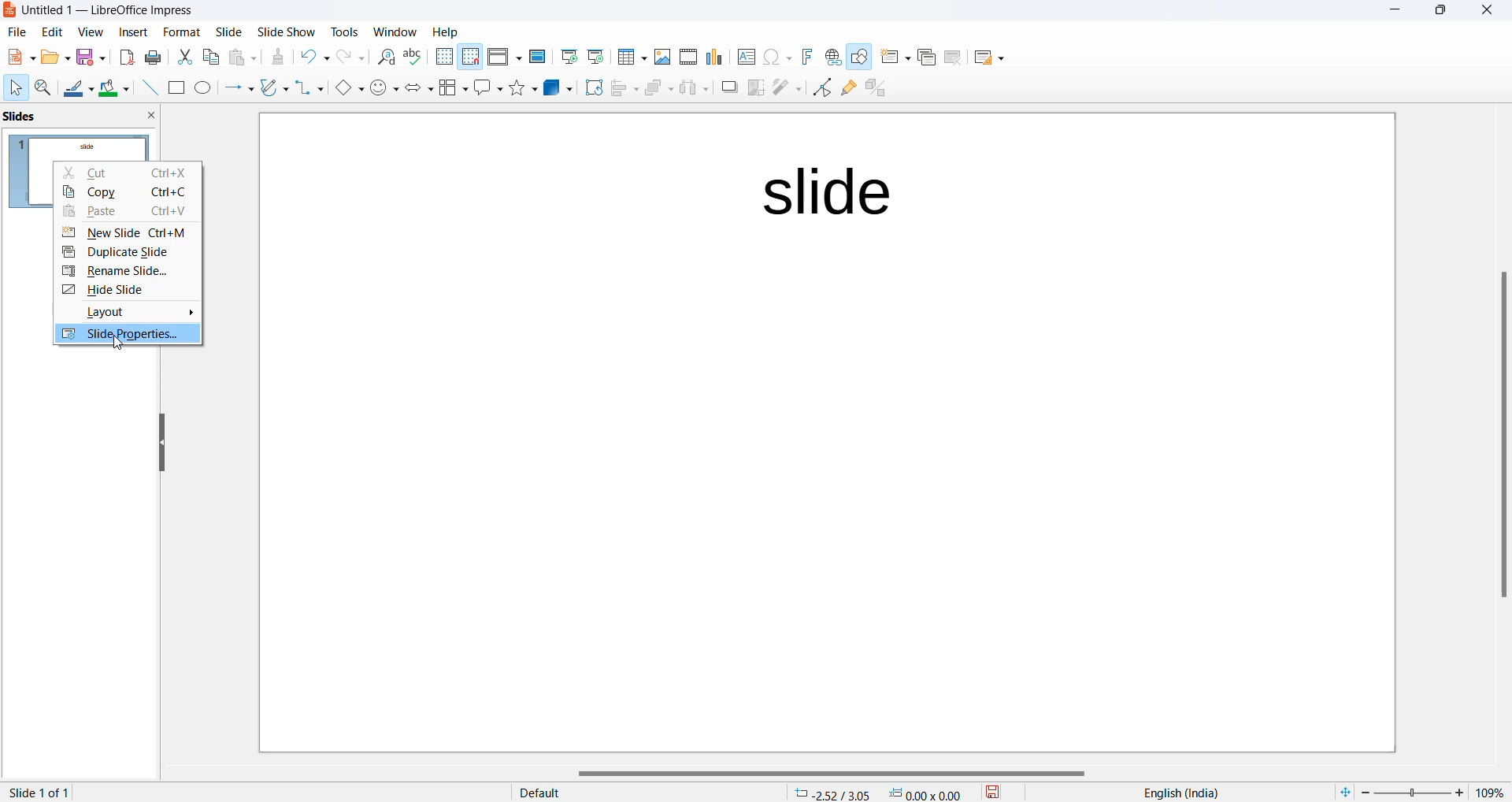  I want to click on zoom and pan , so click(44, 91).